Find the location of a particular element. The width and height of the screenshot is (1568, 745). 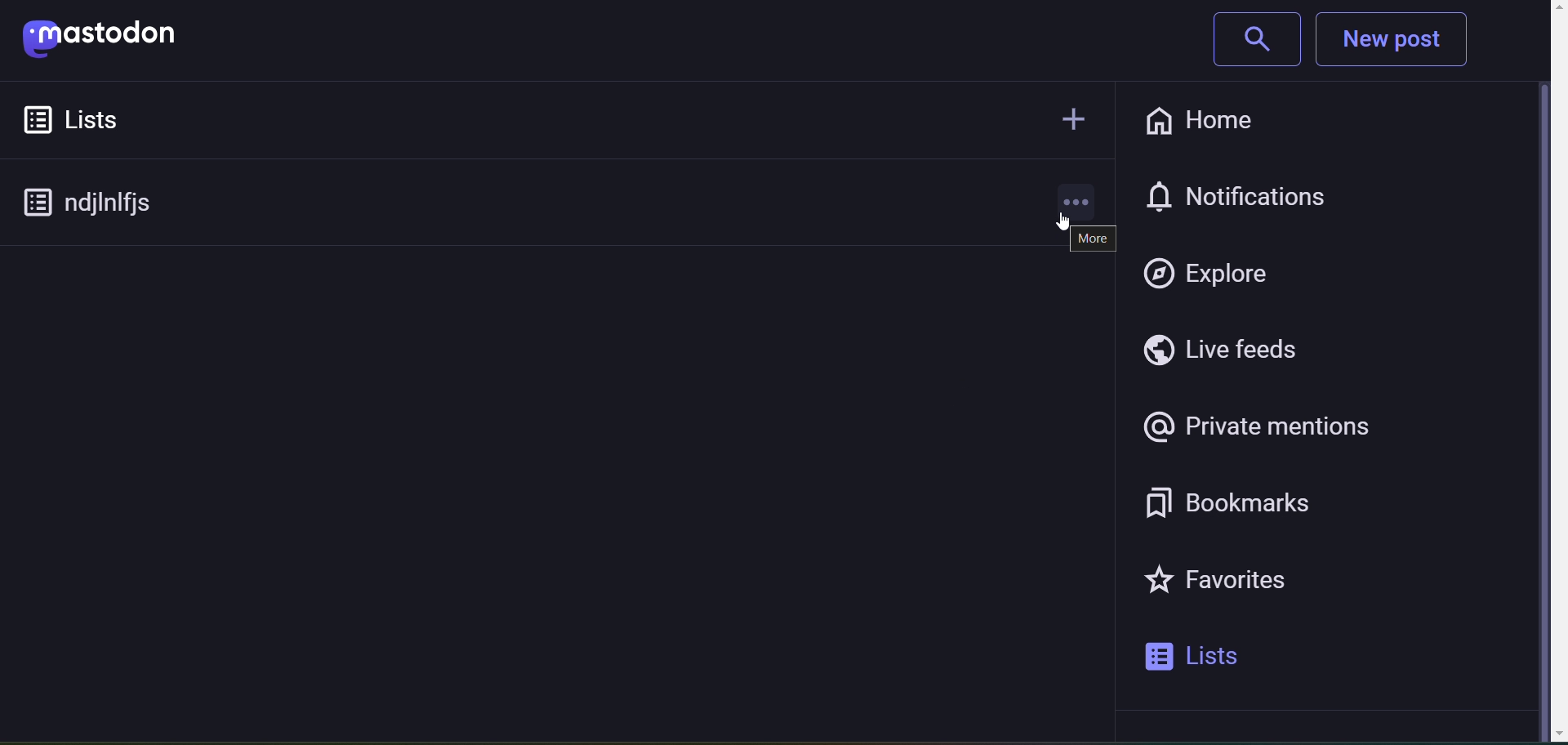

create new list is located at coordinates (1068, 115).